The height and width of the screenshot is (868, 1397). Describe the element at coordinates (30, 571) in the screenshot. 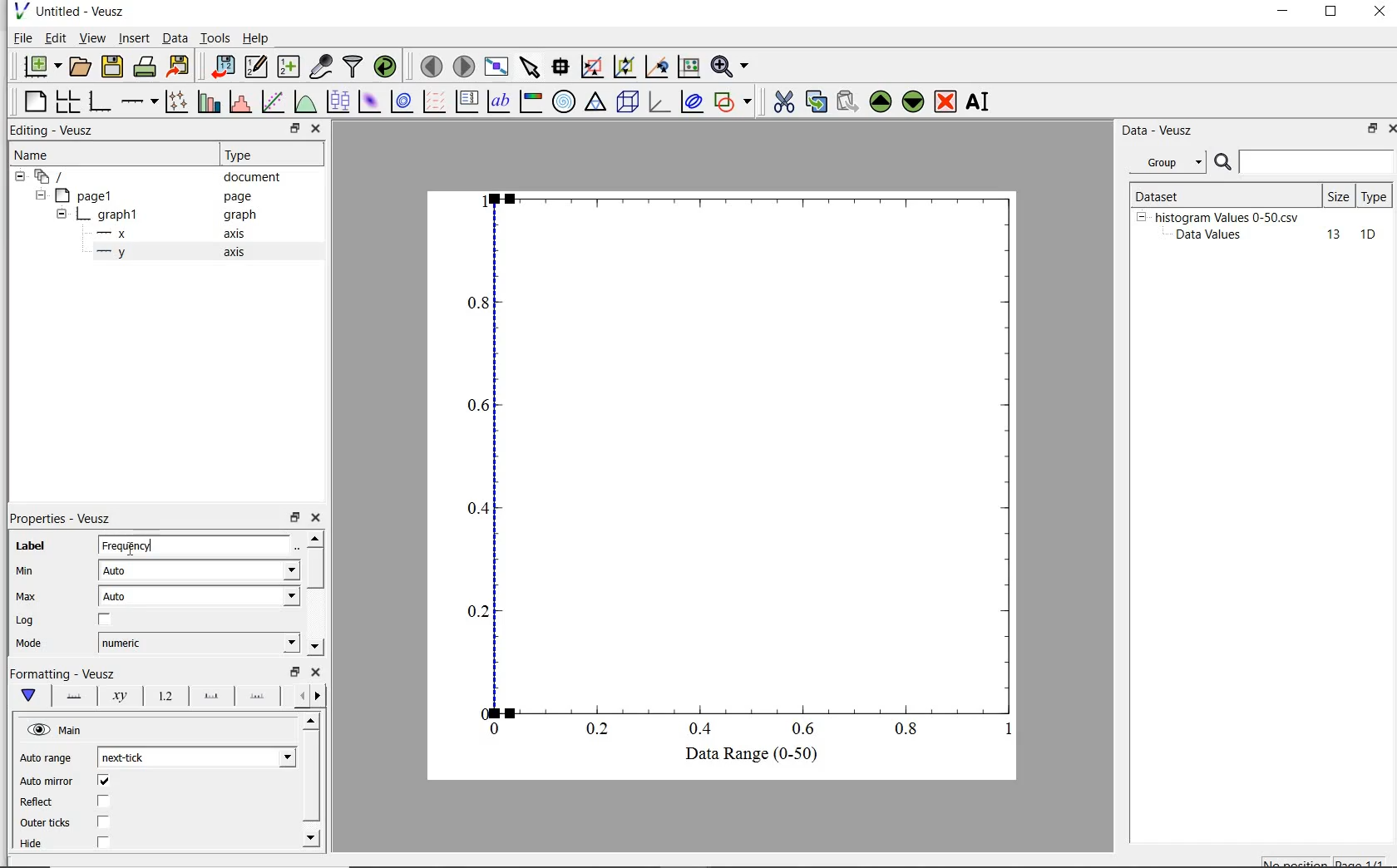

I see `min` at that location.